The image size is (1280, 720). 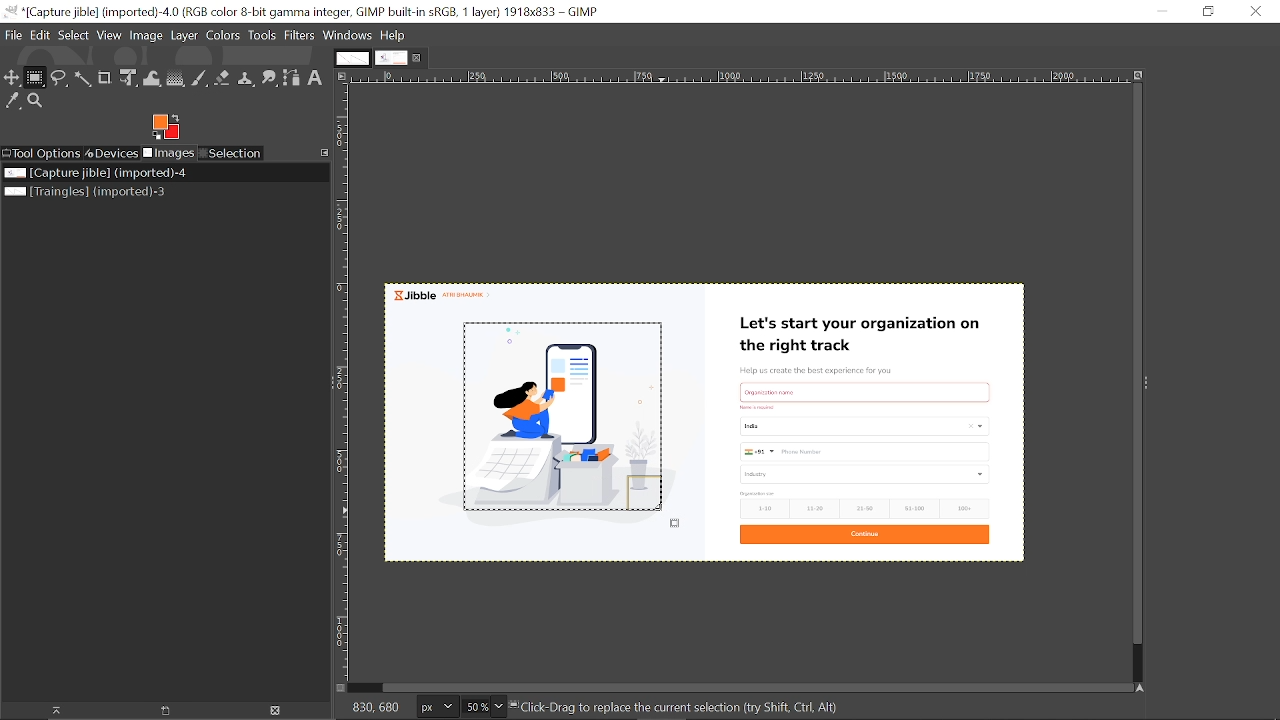 I want to click on Help, so click(x=394, y=35).